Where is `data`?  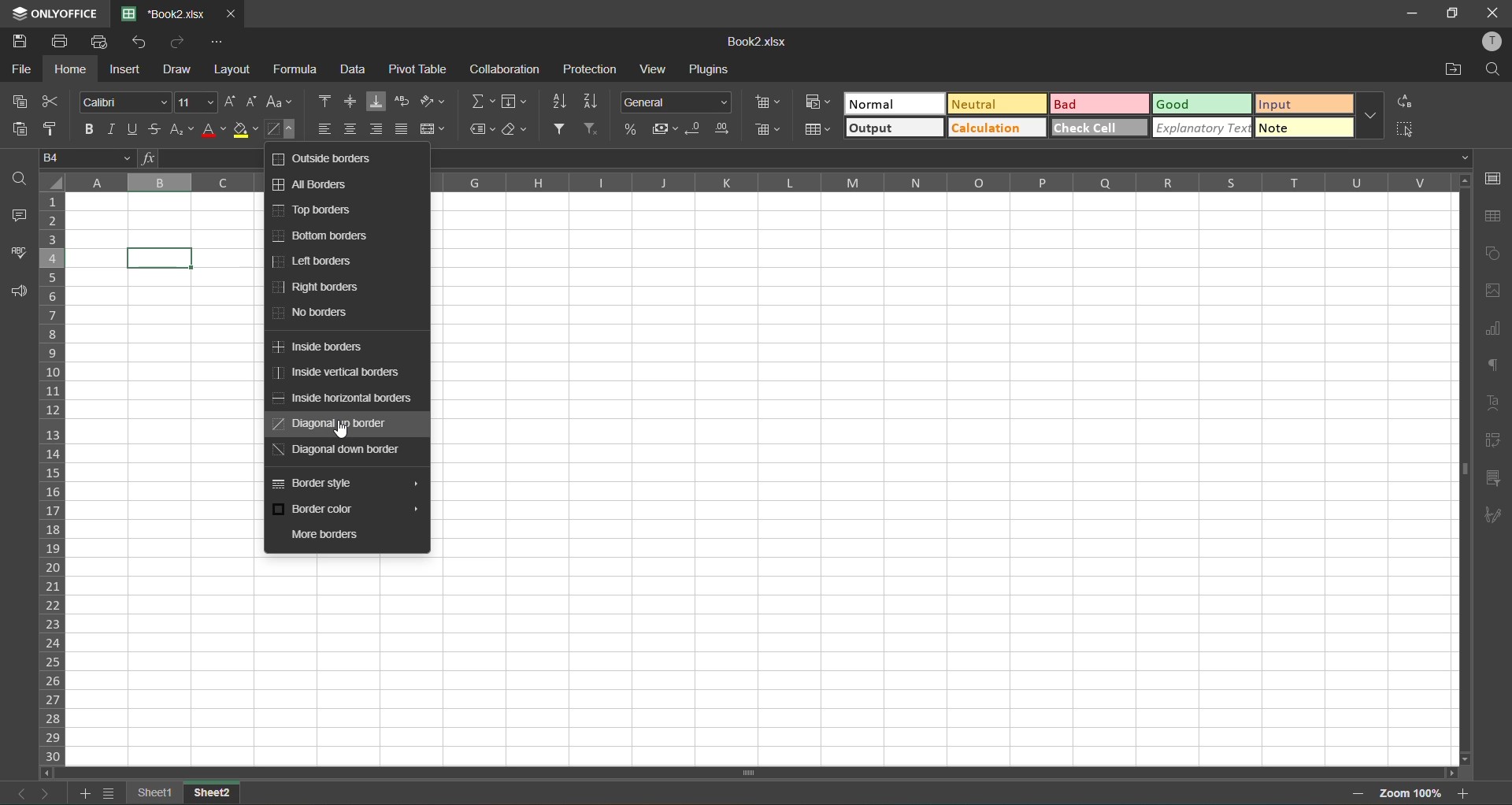 data is located at coordinates (354, 71).